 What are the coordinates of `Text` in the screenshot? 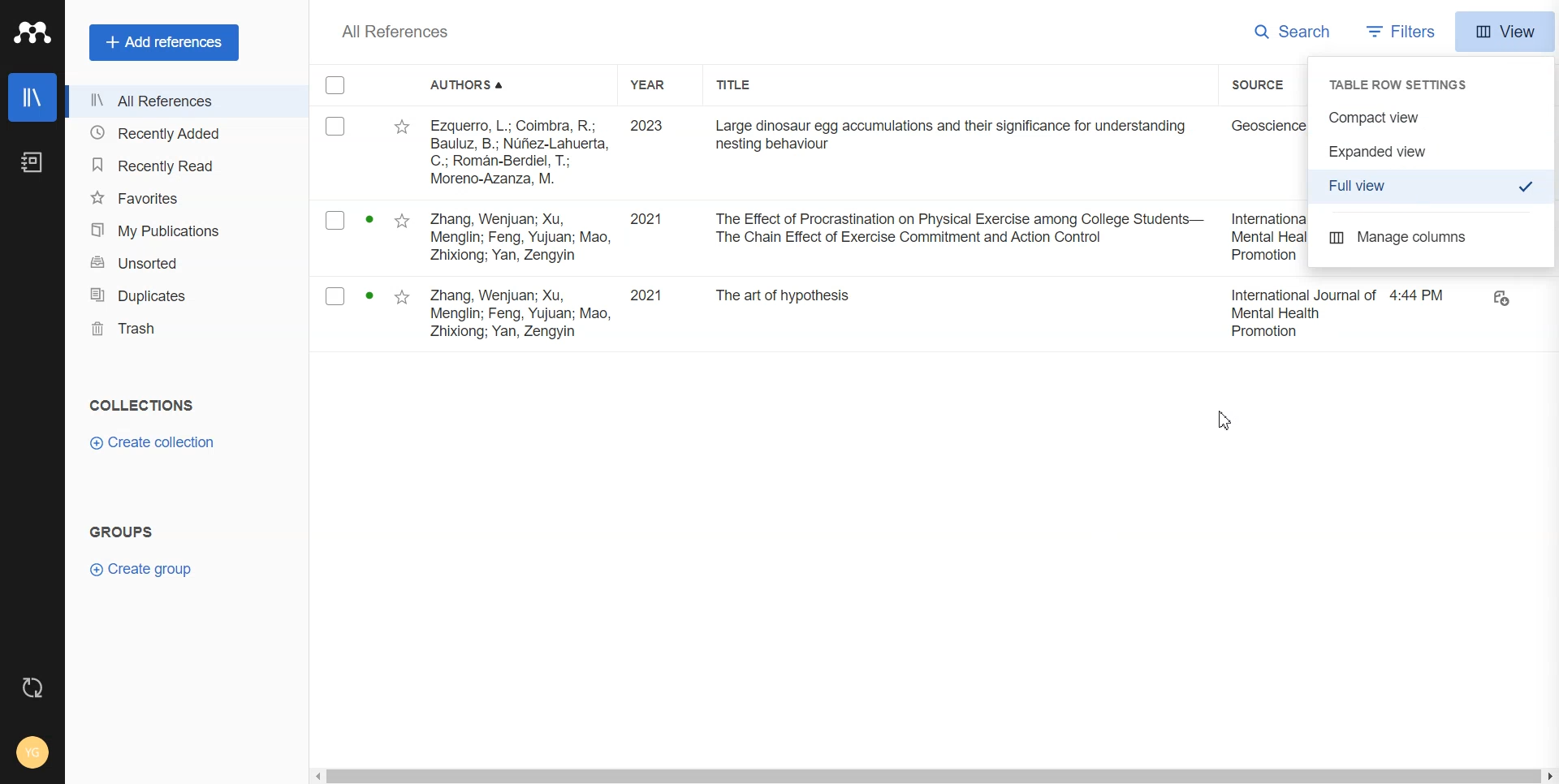 It's located at (1406, 84).